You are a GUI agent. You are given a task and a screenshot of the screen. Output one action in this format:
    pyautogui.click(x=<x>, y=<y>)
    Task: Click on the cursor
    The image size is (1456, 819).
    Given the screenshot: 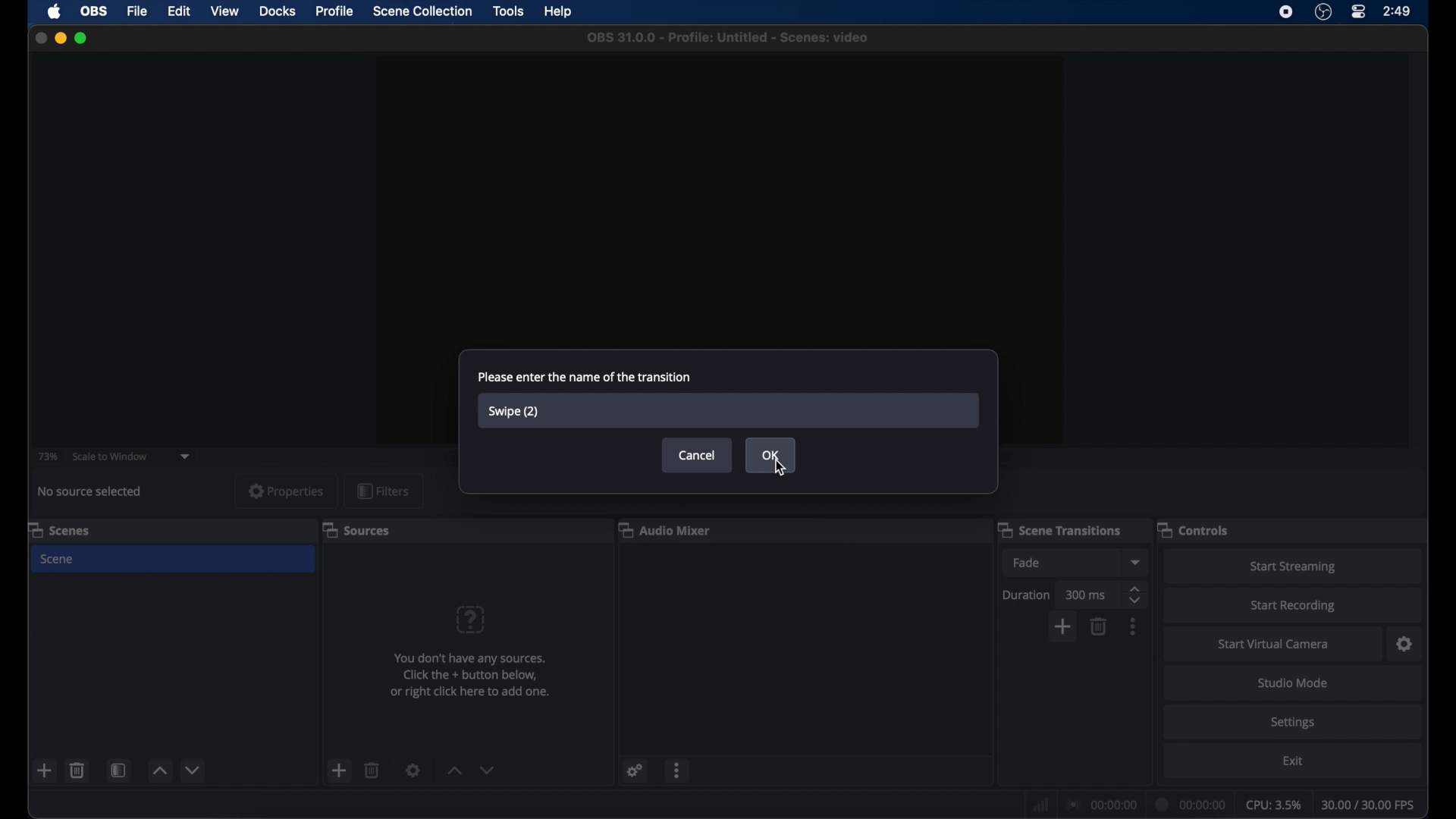 What is the action you would take?
    pyautogui.click(x=782, y=469)
    